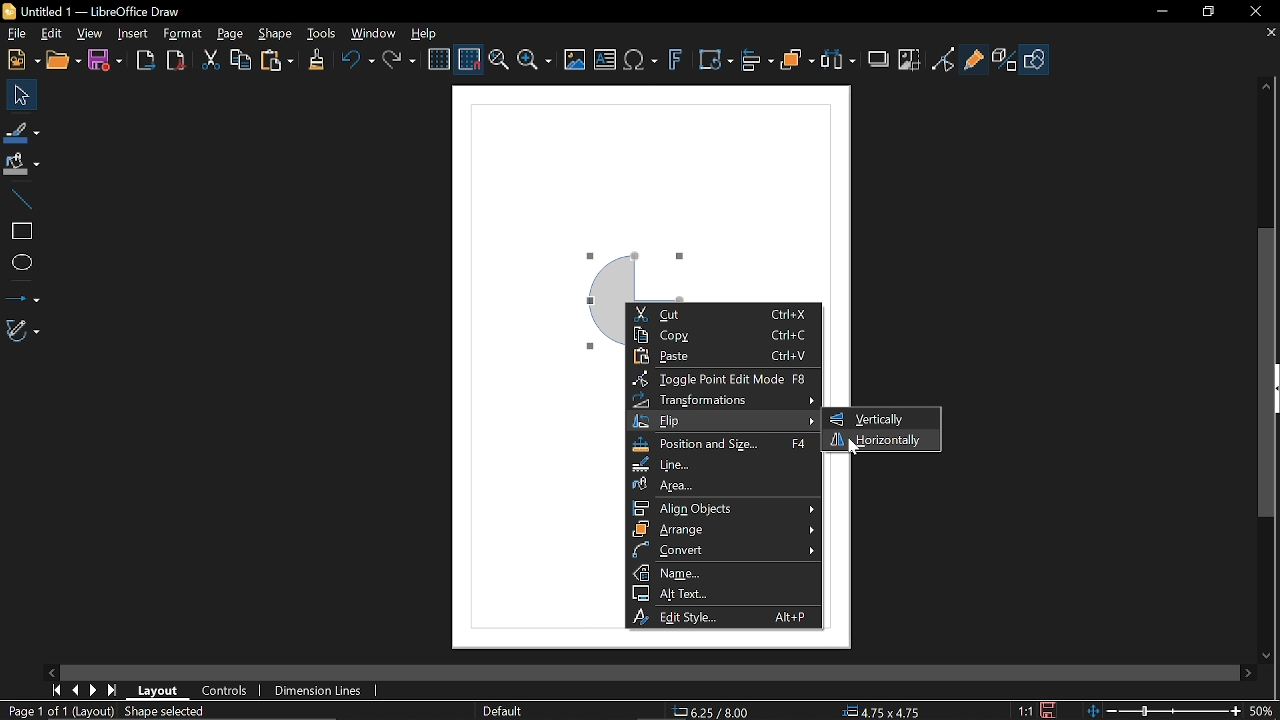 This screenshot has height=720, width=1280. Describe the element at coordinates (11, 12) in the screenshot. I see `LibreOffice Logo` at that location.